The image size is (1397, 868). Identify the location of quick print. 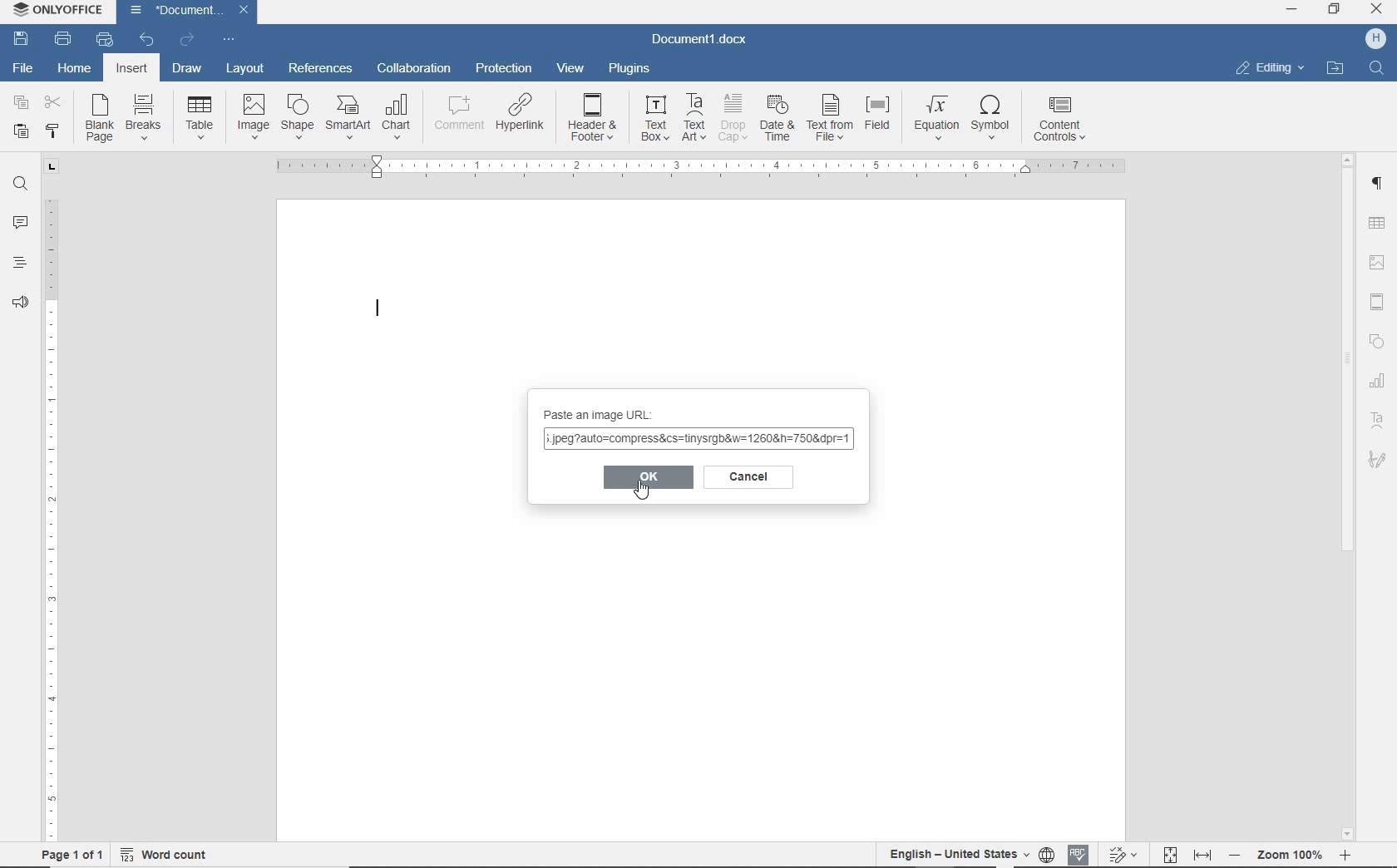
(104, 40).